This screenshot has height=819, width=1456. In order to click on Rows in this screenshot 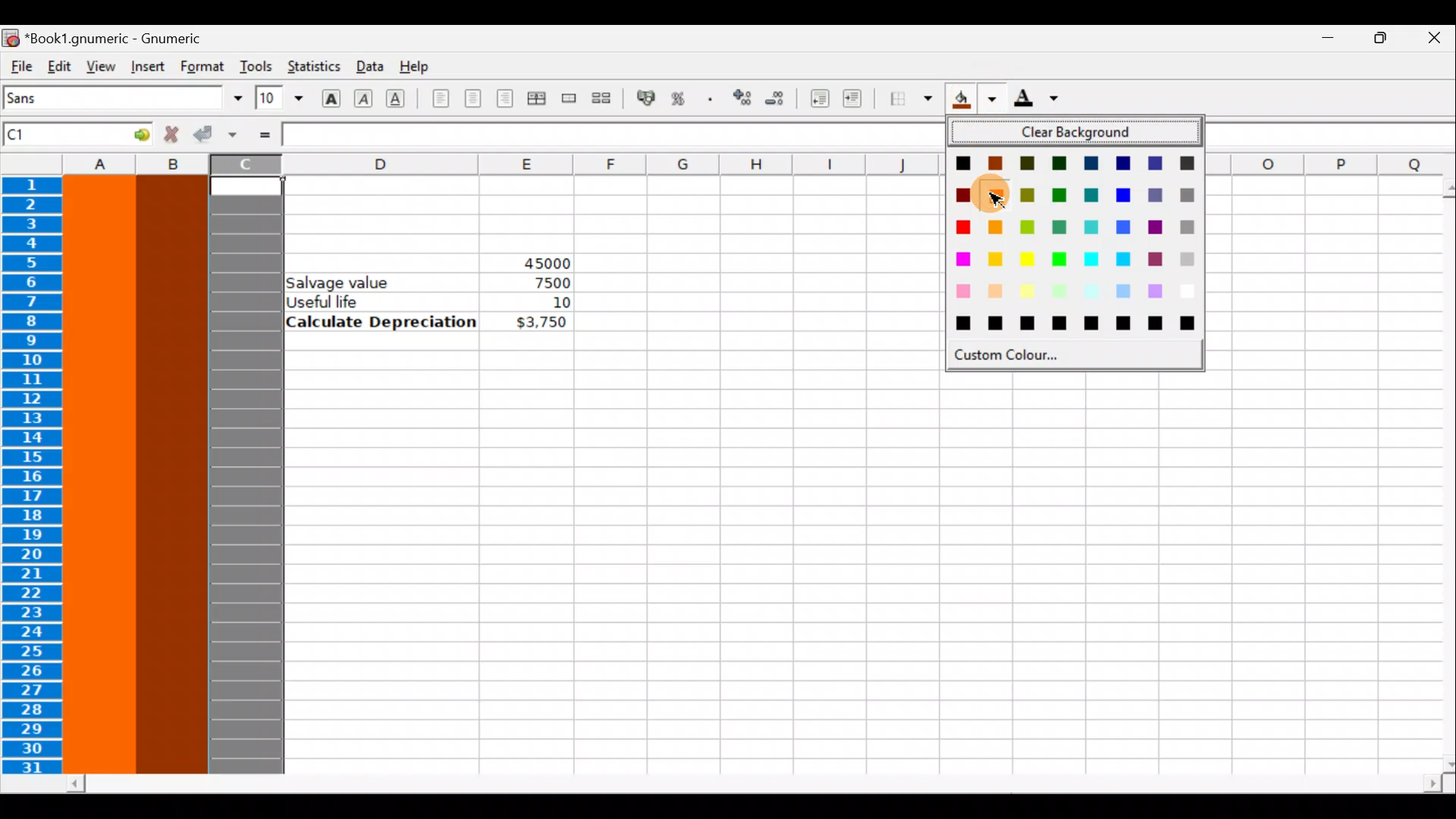, I will do `click(36, 477)`.